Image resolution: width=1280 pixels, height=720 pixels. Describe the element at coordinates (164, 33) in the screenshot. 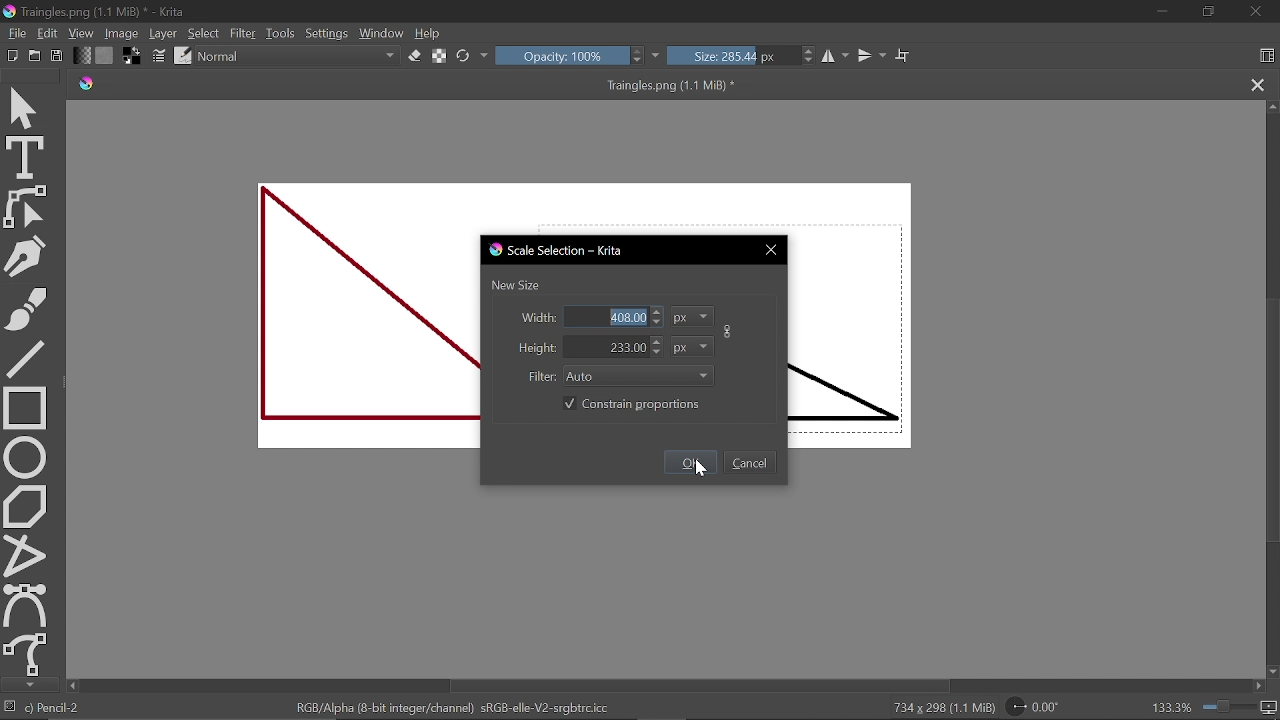

I see `Layer` at that location.